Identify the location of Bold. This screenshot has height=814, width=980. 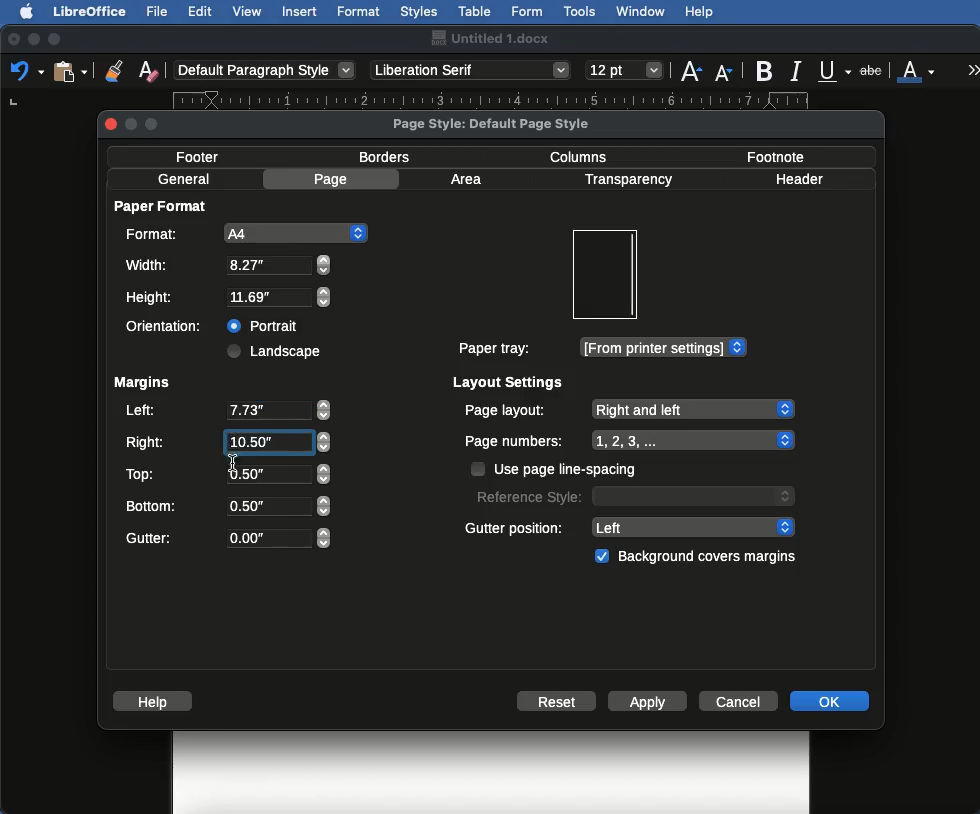
(766, 71).